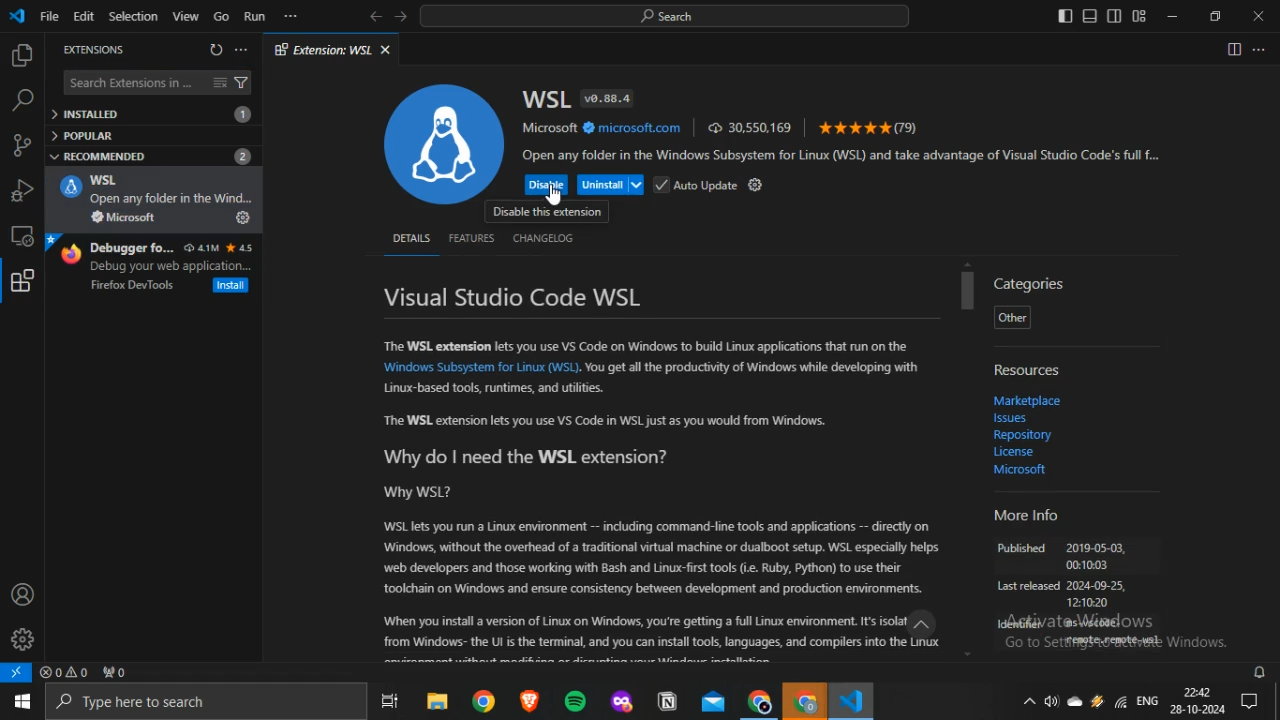  I want to click on RECOMMENDED, so click(152, 156).